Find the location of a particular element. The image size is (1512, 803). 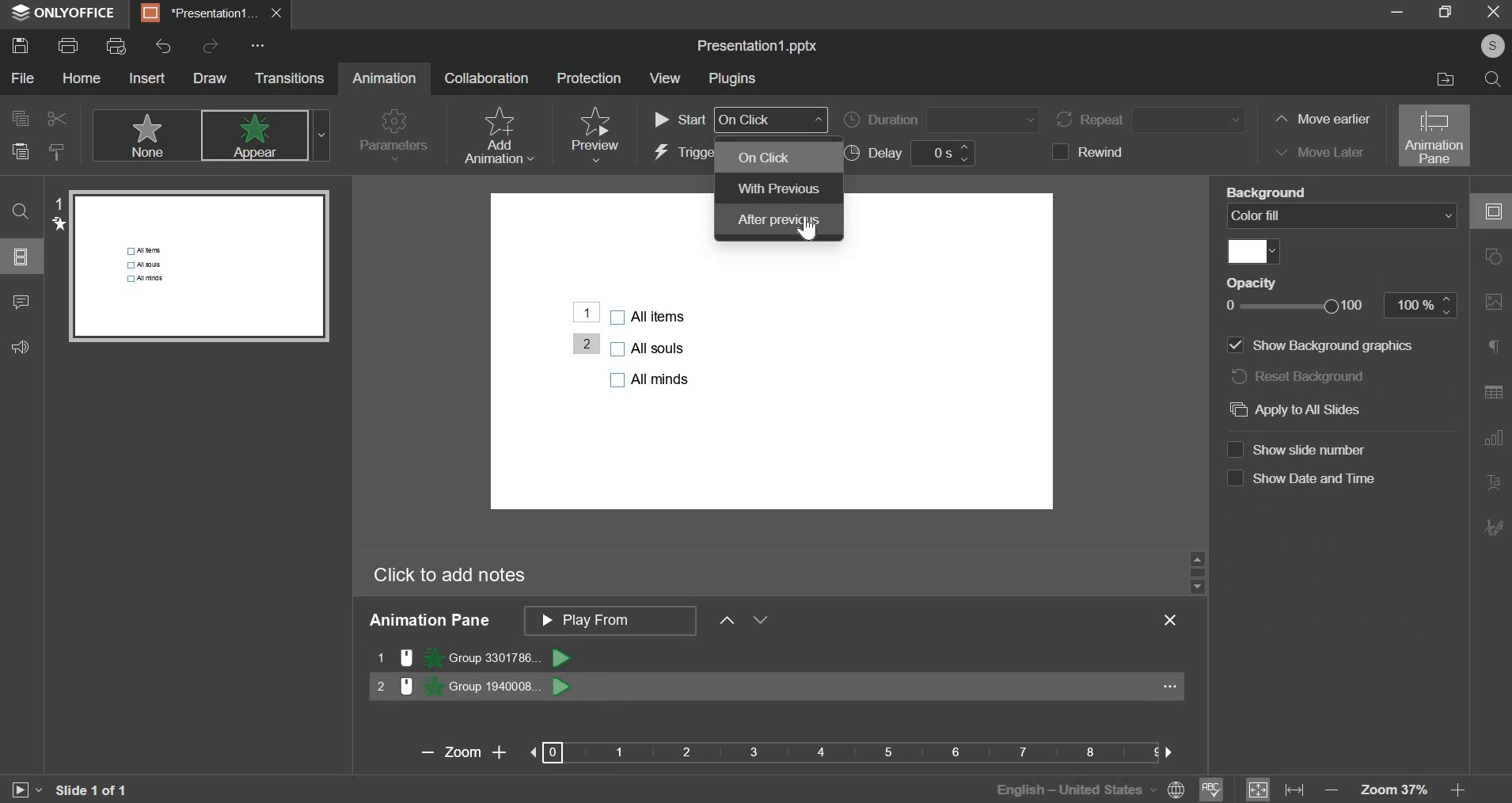

collaboration is located at coordinates (487, 77).